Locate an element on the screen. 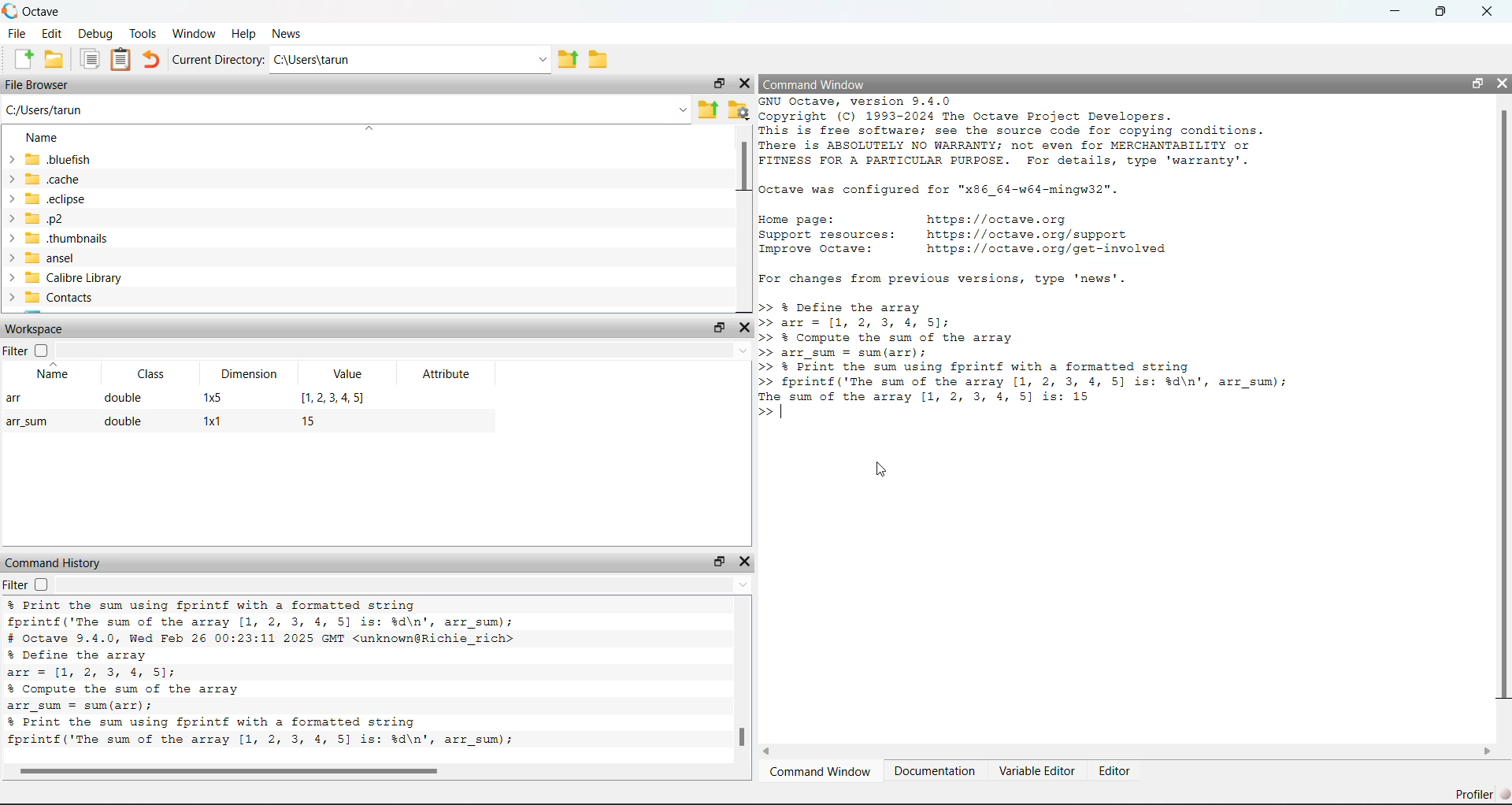 Image resolution: width=1512 pixels, height=805 pixels. Edit is located at coordinates (54, 32).